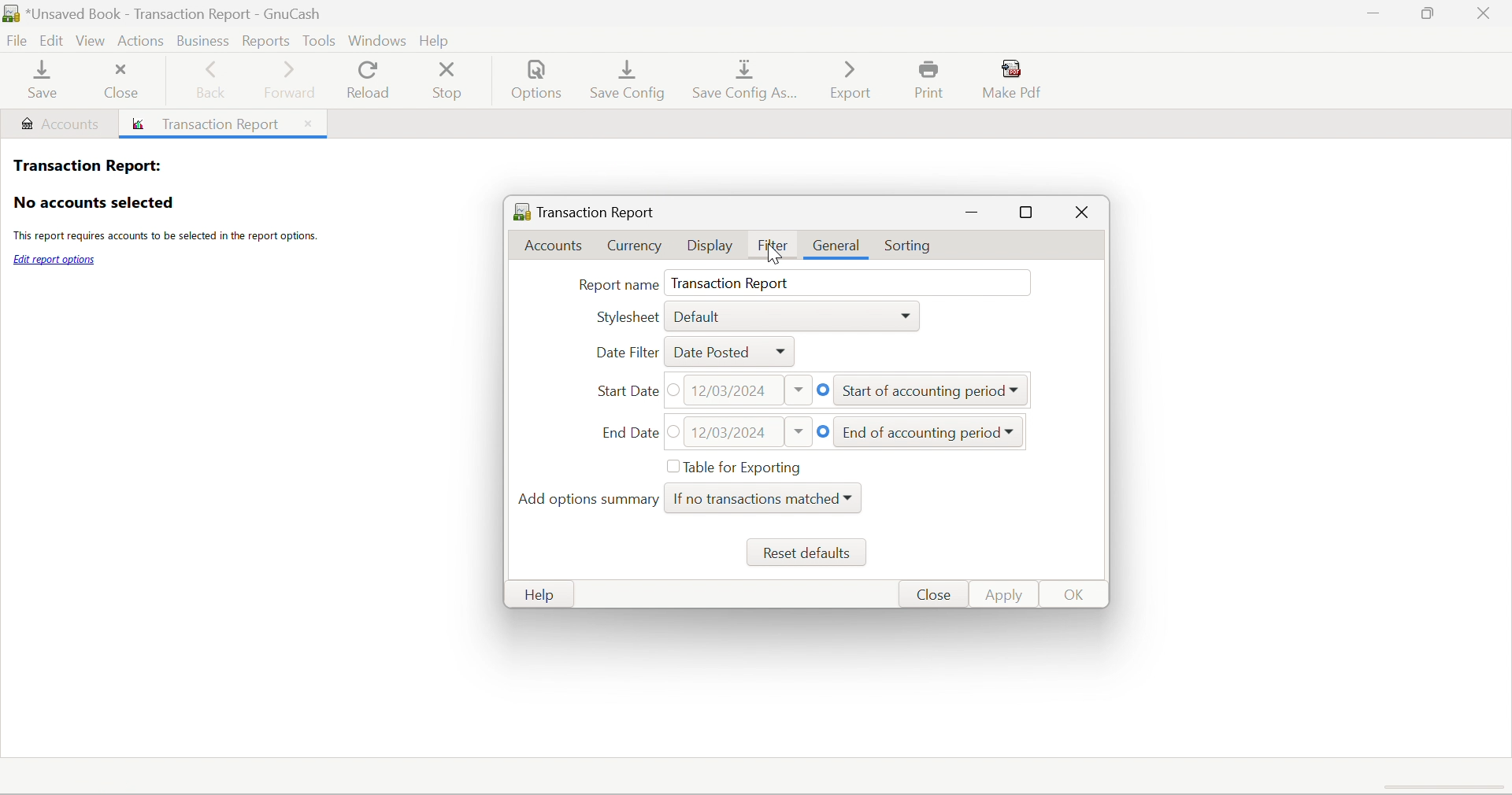 Image resolution: width=1512 pixels, height=795 pixels. What do you see at coordinates (1018, 392) in the screenshot?
I see `Drop Down` at bounding box center [1018, 392].